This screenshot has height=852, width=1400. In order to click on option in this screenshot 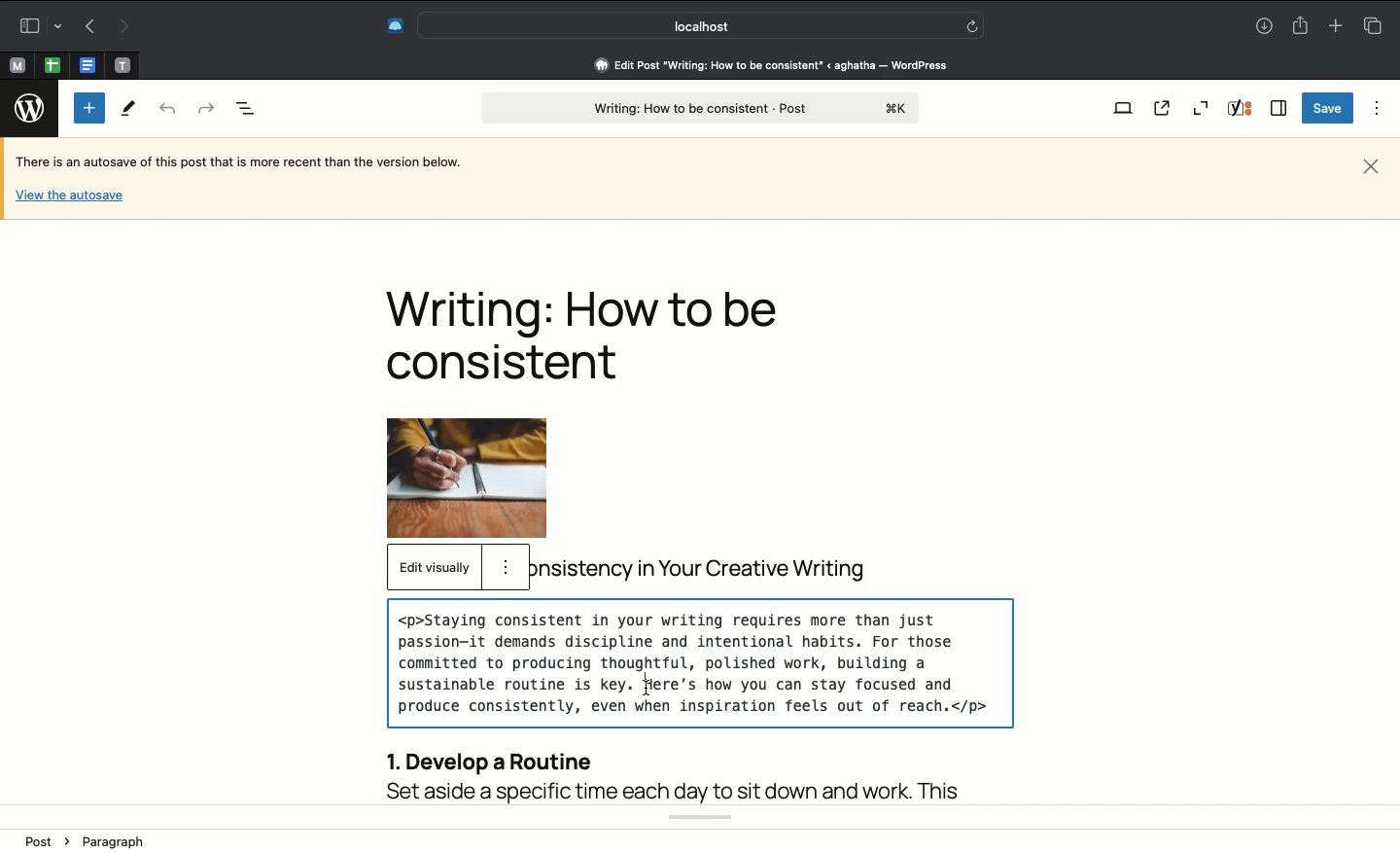, I will do `click(506, 565)`.